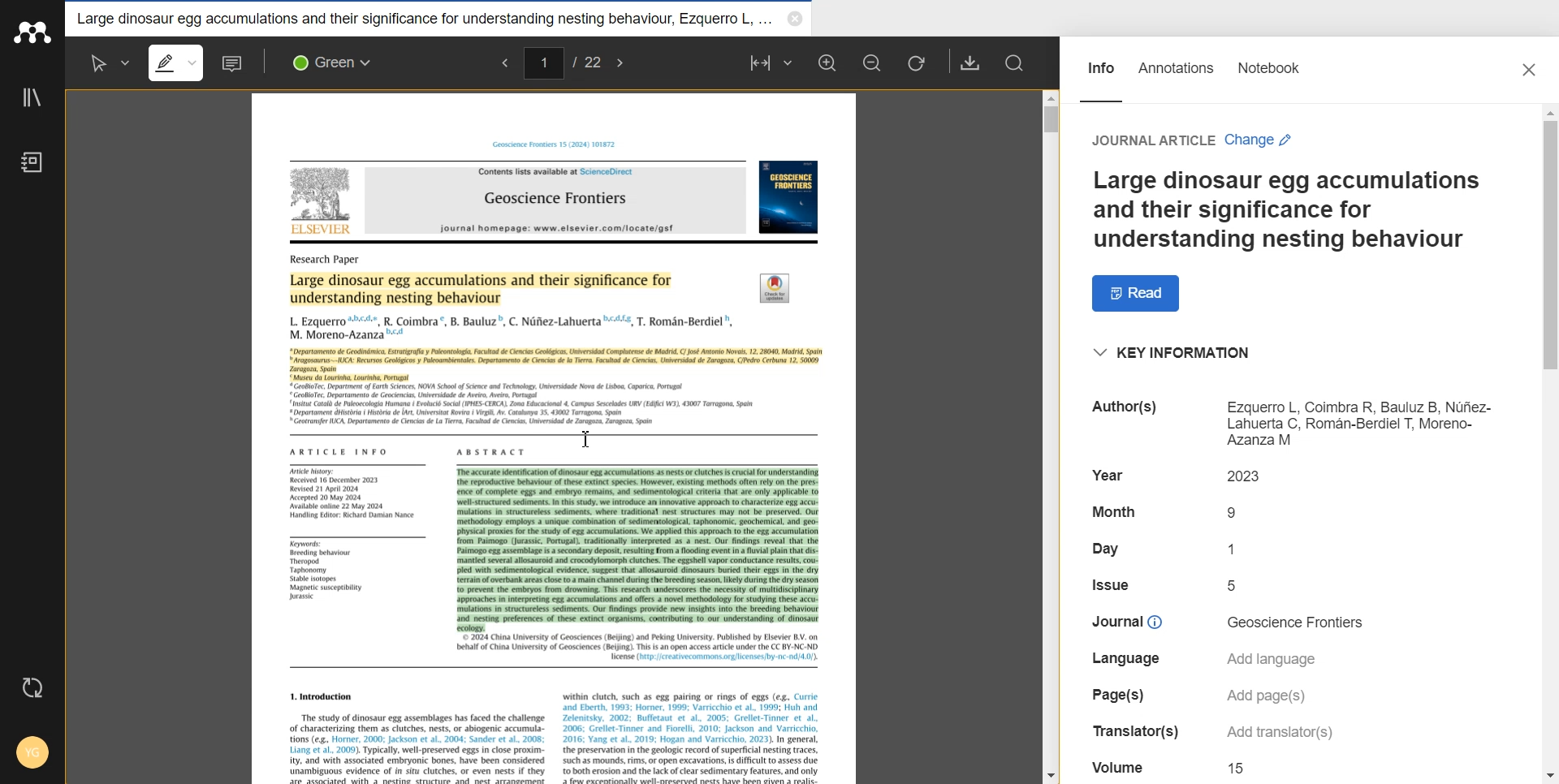 The height and width of the screenshot is (784, 1559). Describe the element at coordinates (1108, 474) in the screenshot. I see `text` at that location.